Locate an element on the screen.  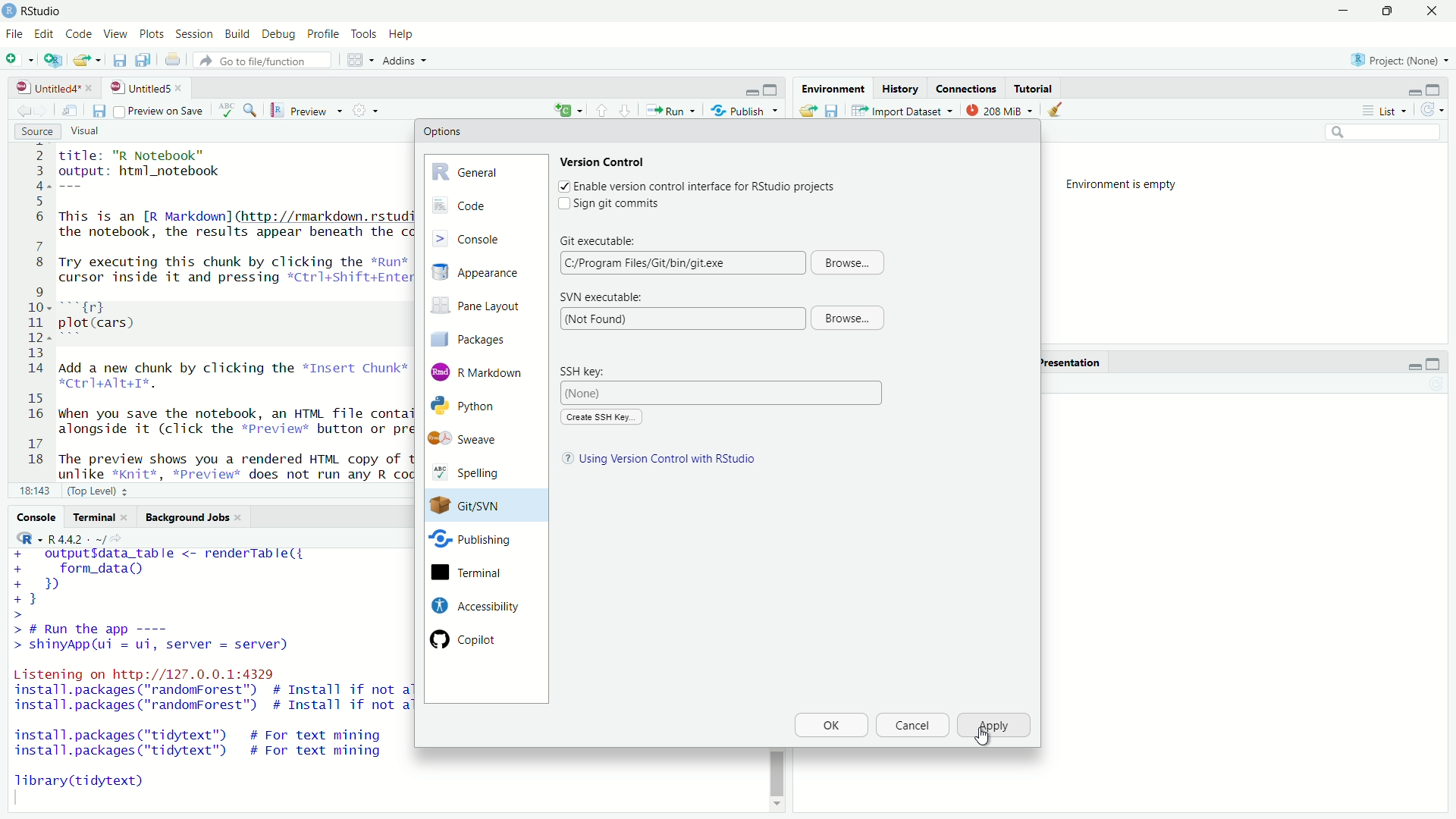
(None) is located at coordinates (723, 393).